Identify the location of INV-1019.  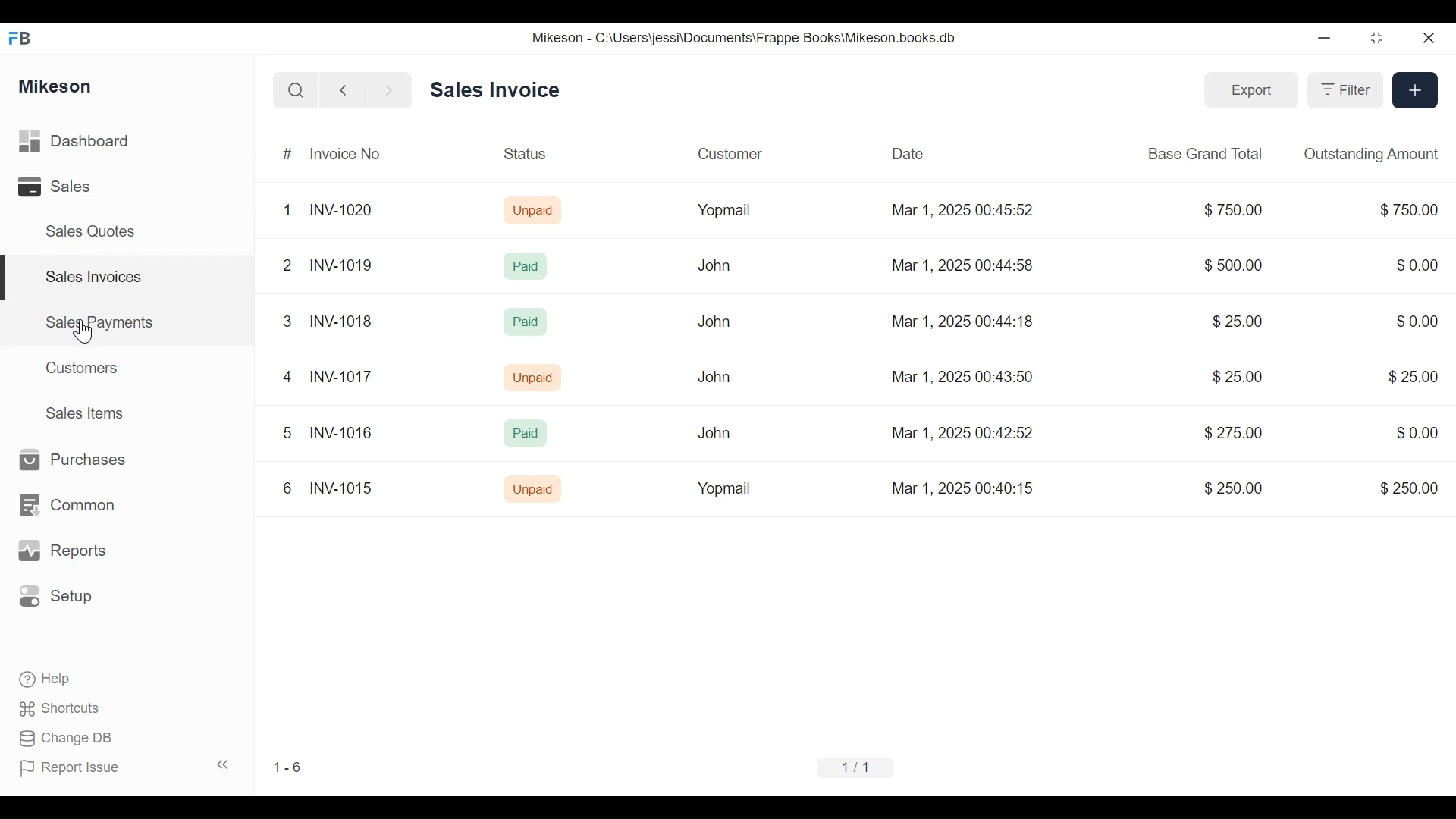
(340, 264).